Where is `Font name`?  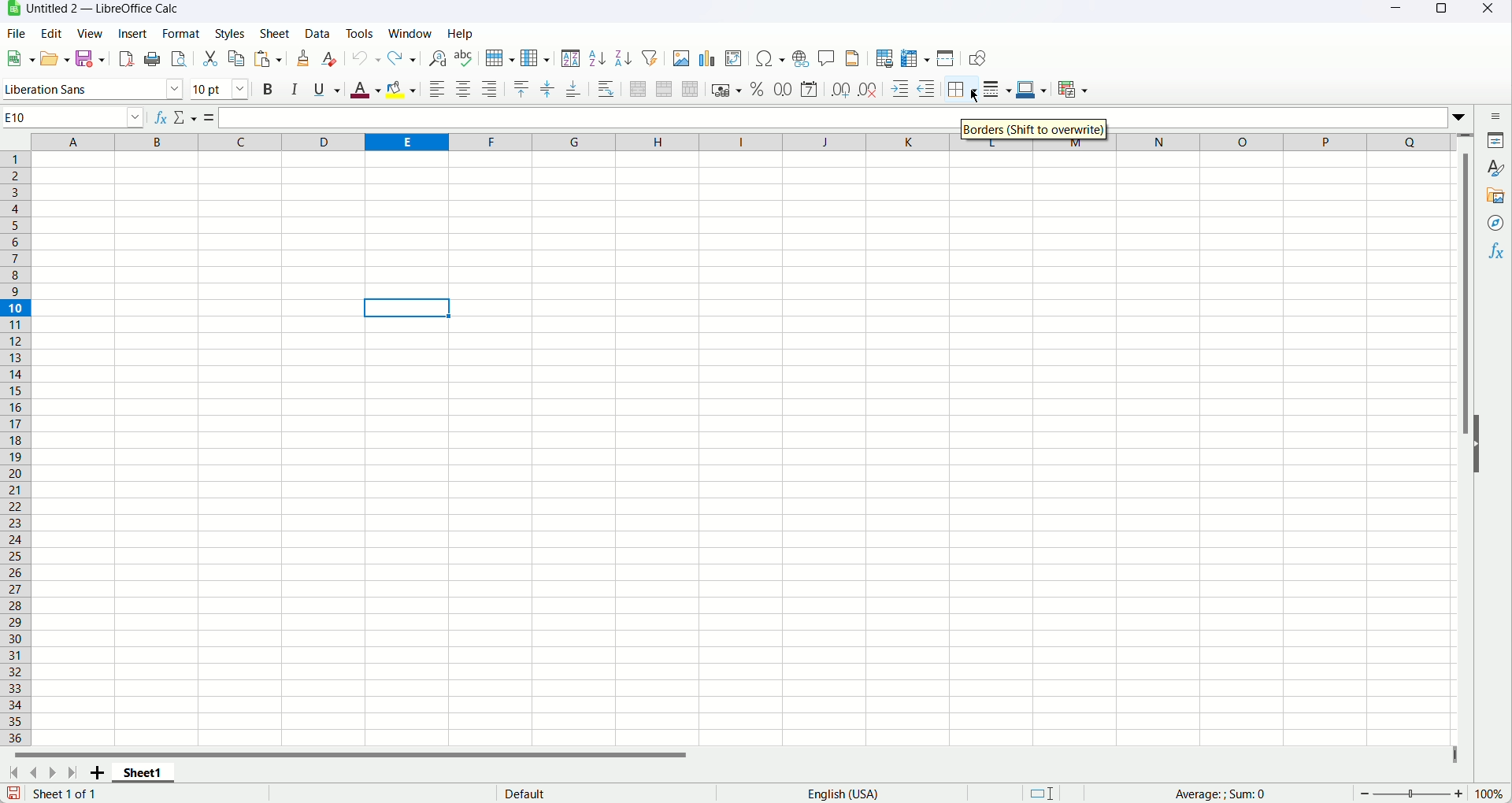
Font name is located at coordinates (94, 90).